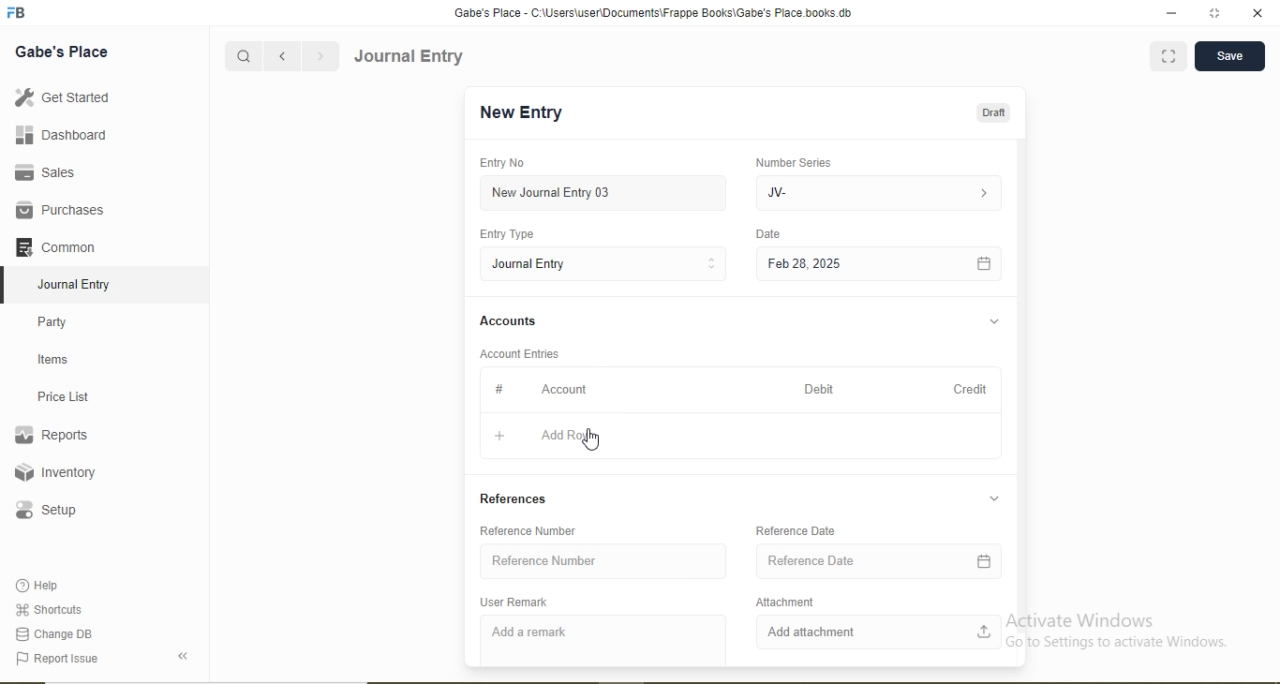 The height and width of the screenshot is (684, 1280). I want to click on Dashboard, so click(62, 134).